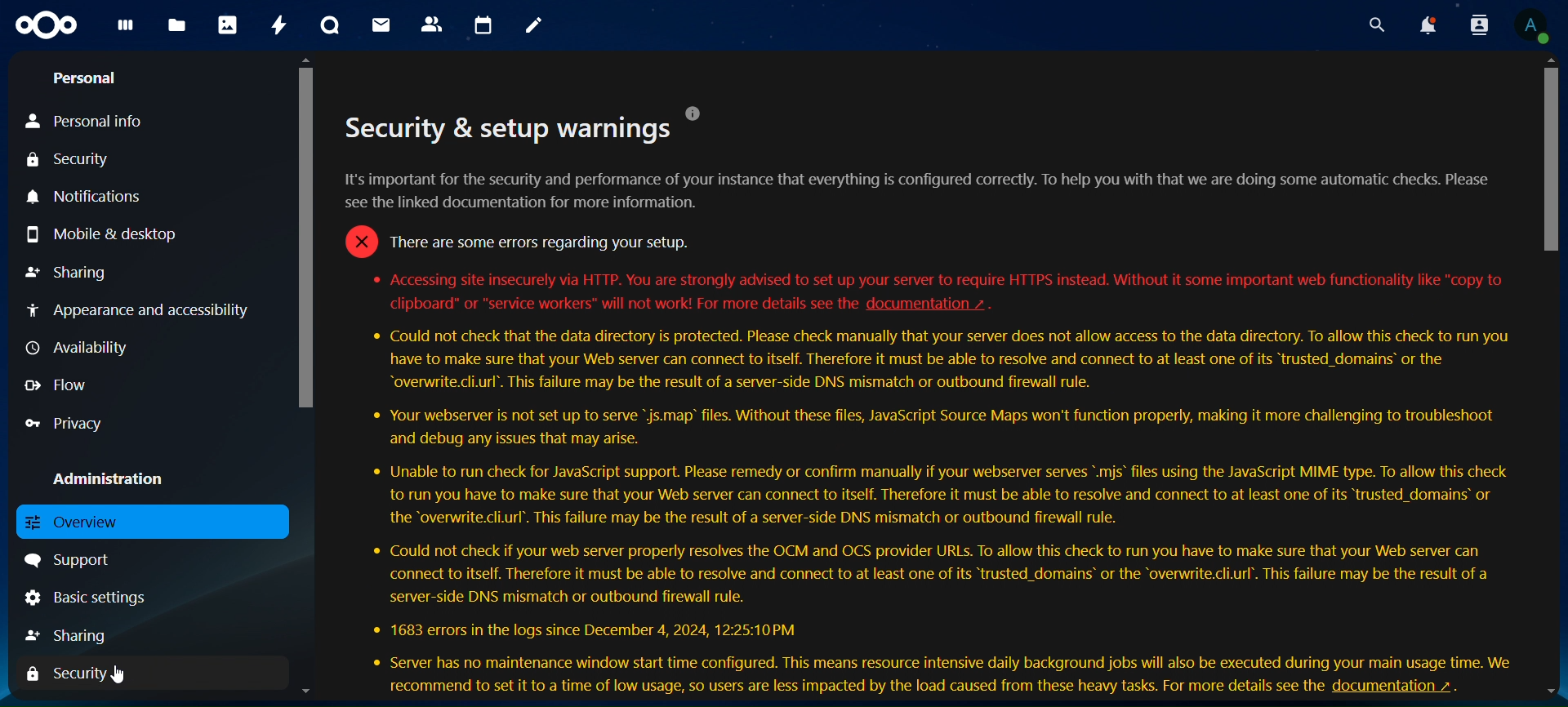  What do you see at coordinates (1377, 25) in the screenshot?
I see `search` at bounding box center [1377, 25].